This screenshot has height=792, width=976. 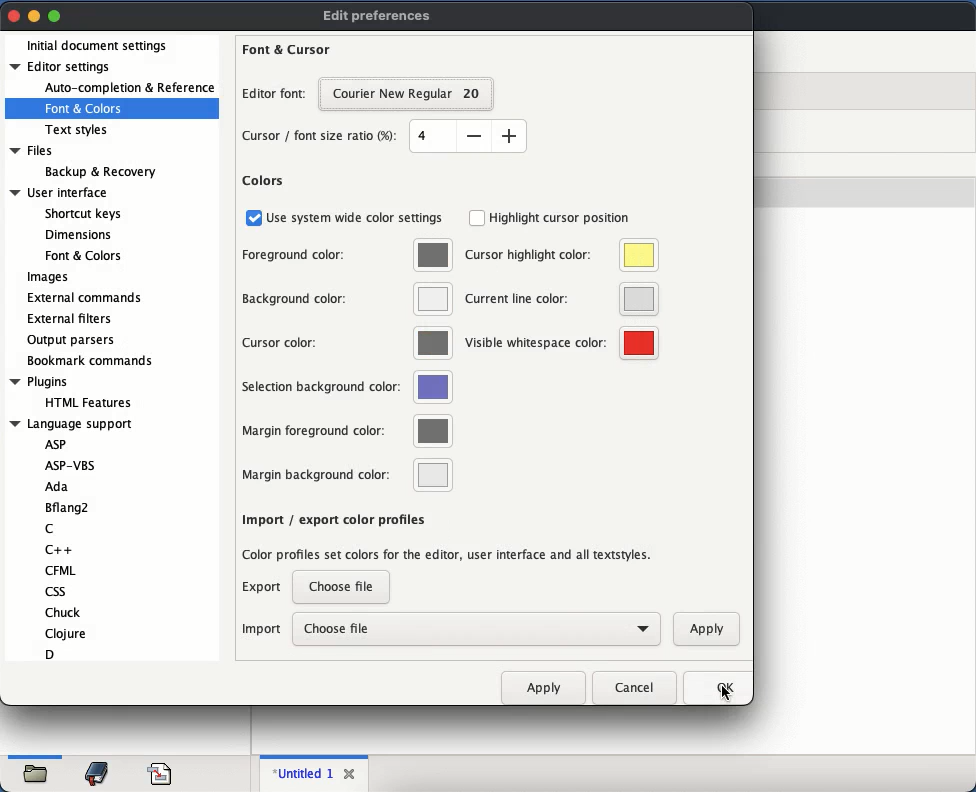 I want to click on external filters, so click(x=72, y=320).